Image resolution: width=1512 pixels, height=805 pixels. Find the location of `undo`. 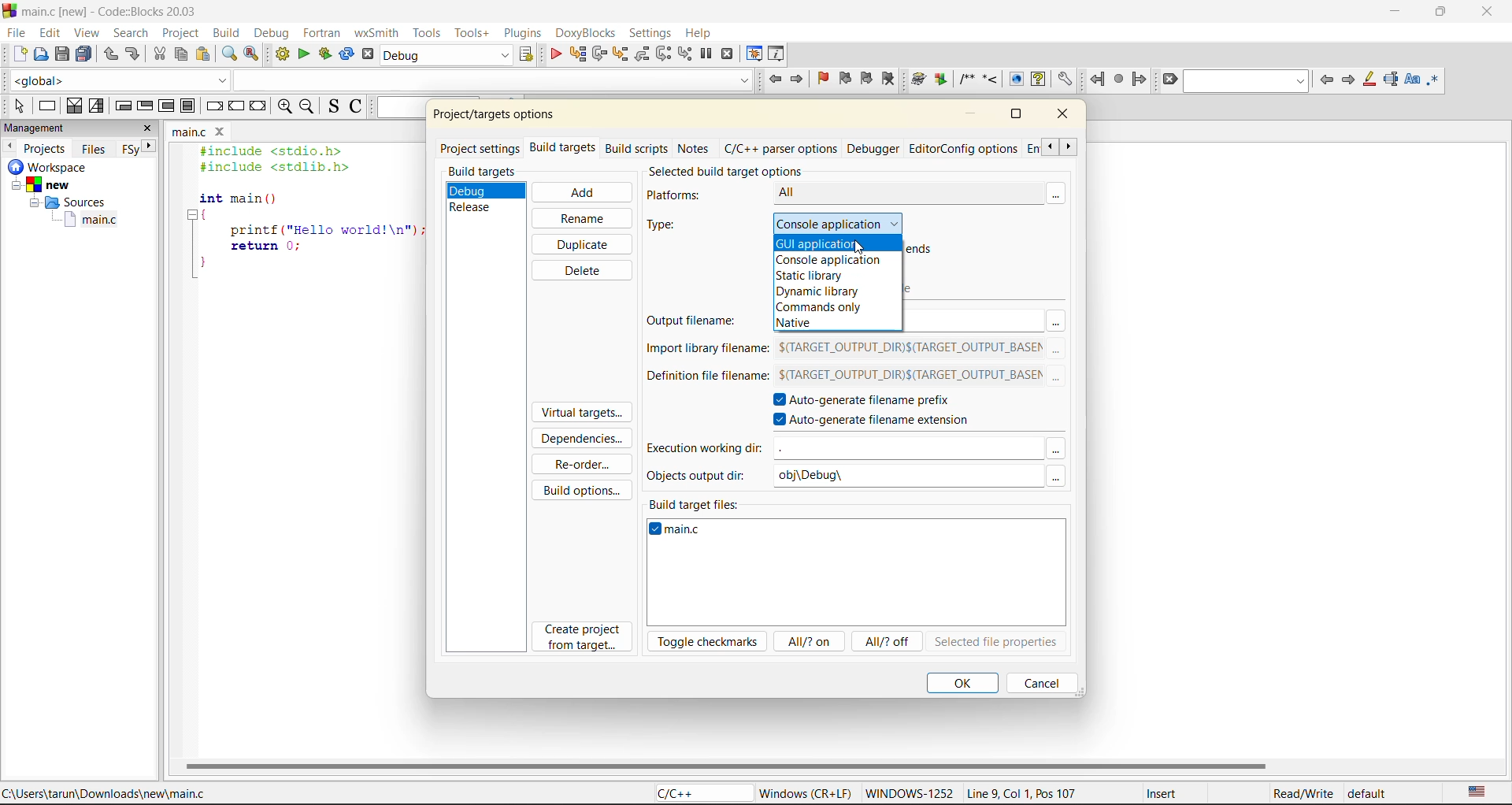

undo is located at coordinates (112, 56).